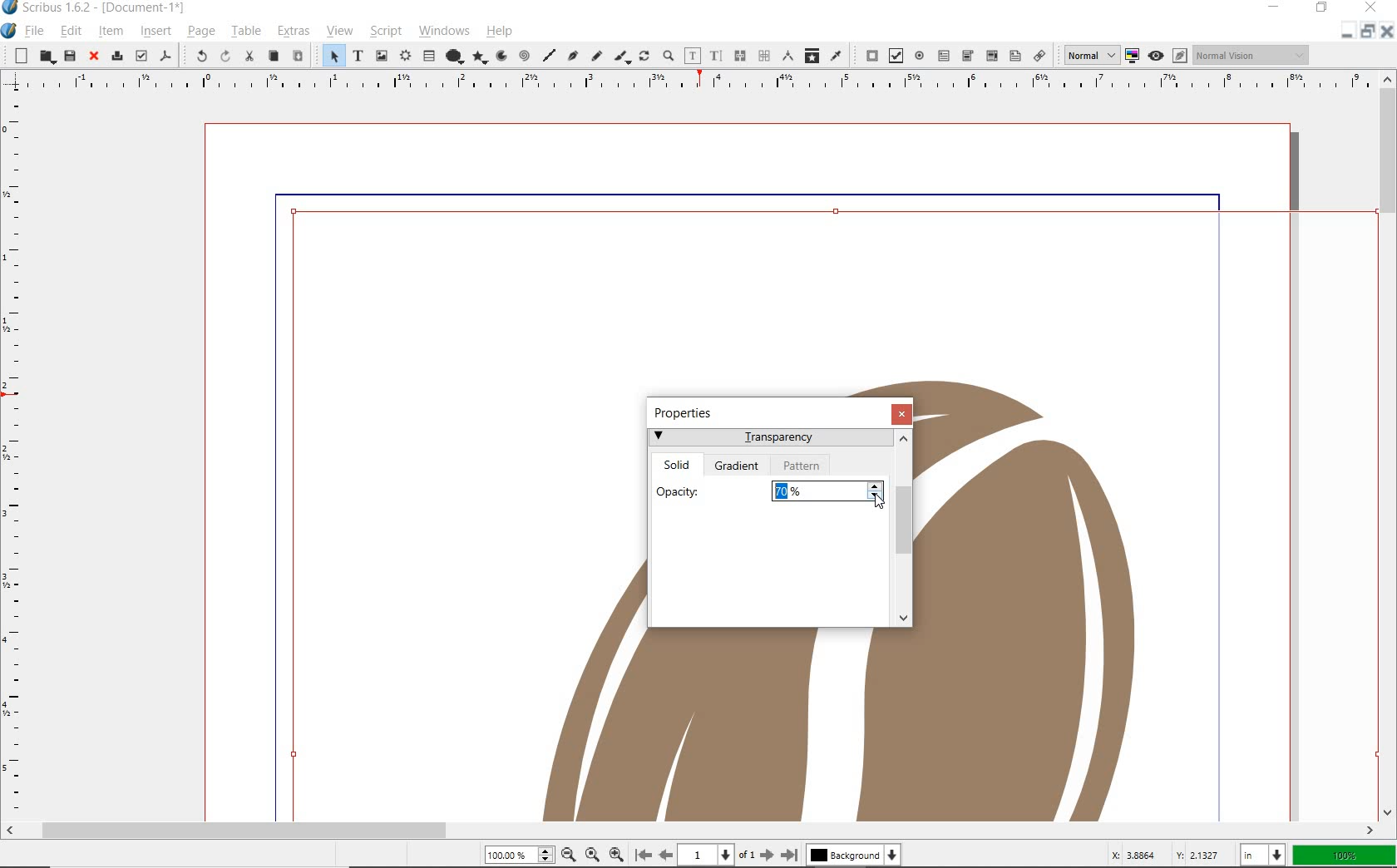  Describe the element at coordinates (664, 855) in the screenshot. I see `Previous Page` at that location.